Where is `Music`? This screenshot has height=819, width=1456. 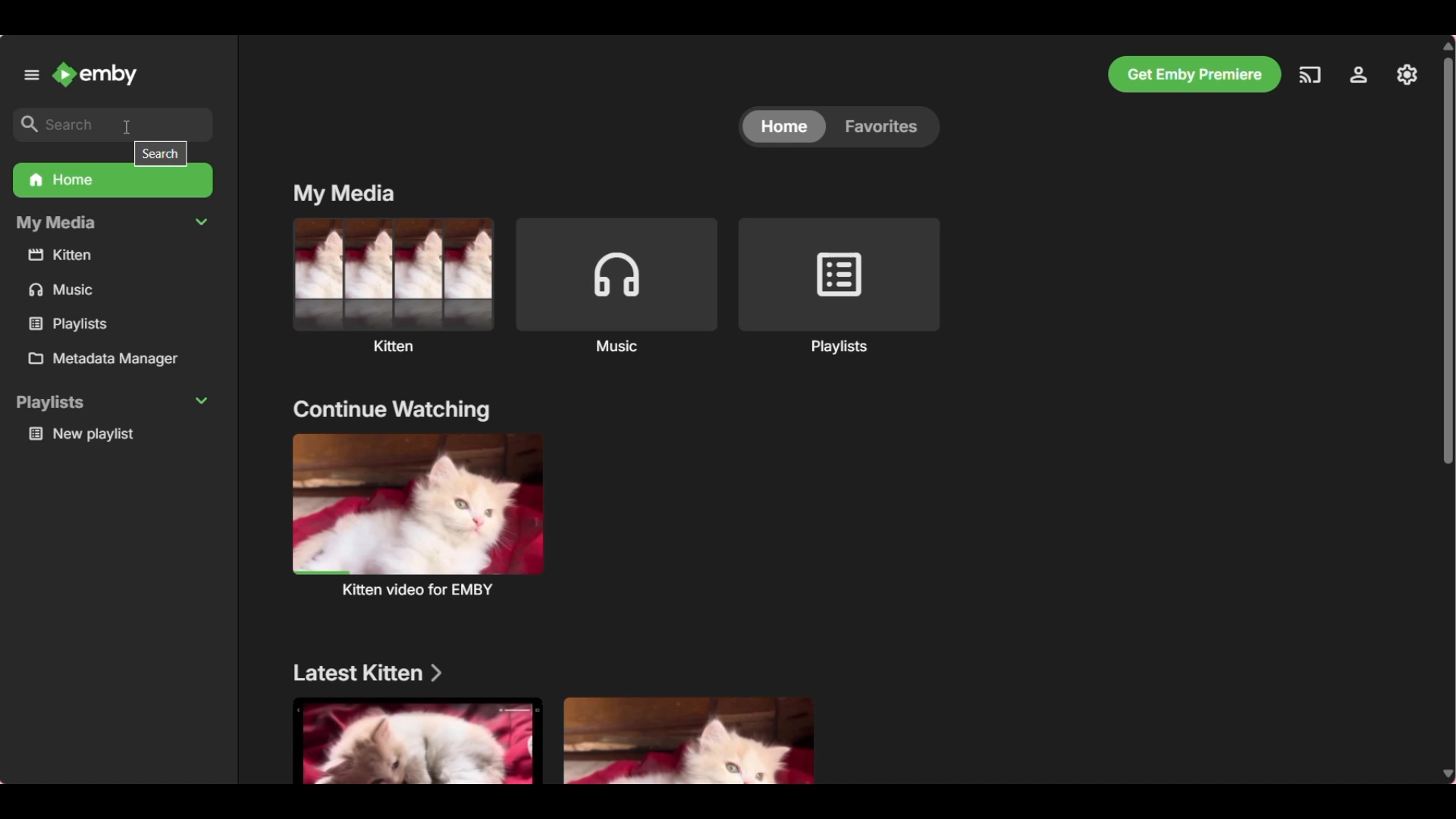
Music is located at coordinates (615, 284).